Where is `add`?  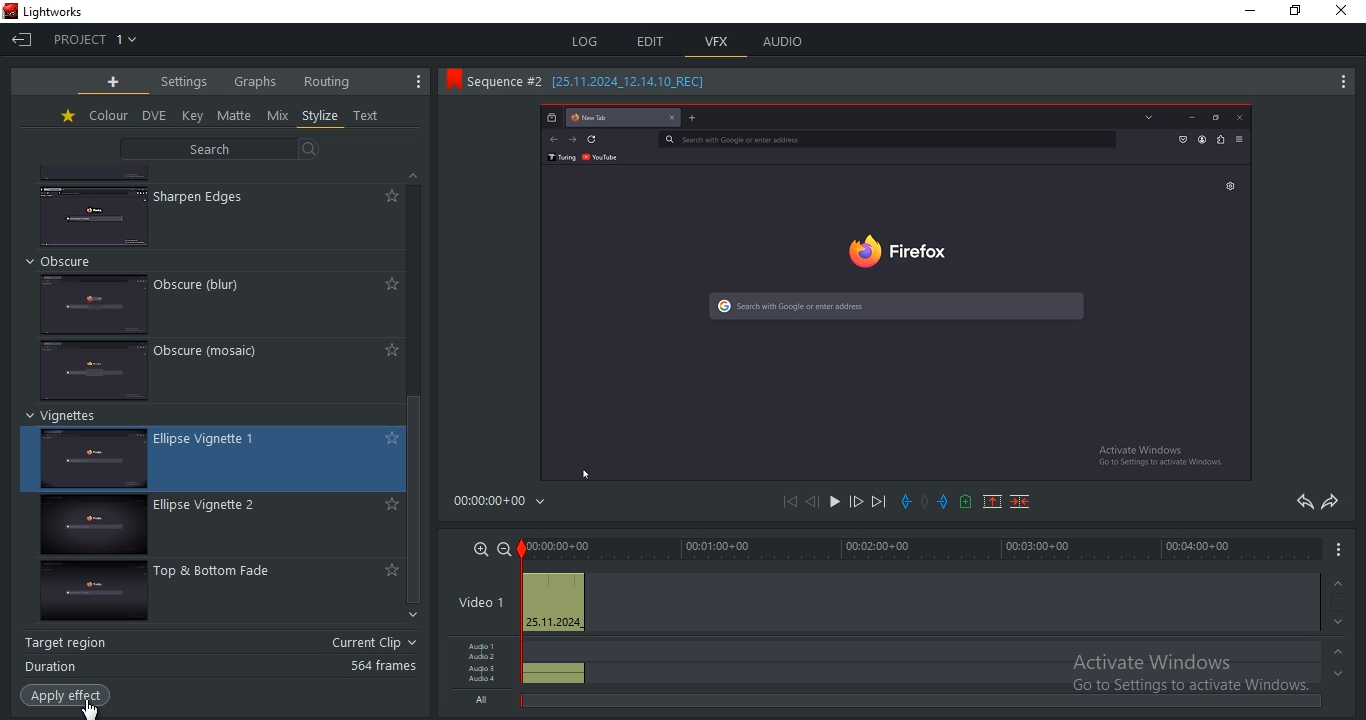
add is located at coordinates (113, 81).